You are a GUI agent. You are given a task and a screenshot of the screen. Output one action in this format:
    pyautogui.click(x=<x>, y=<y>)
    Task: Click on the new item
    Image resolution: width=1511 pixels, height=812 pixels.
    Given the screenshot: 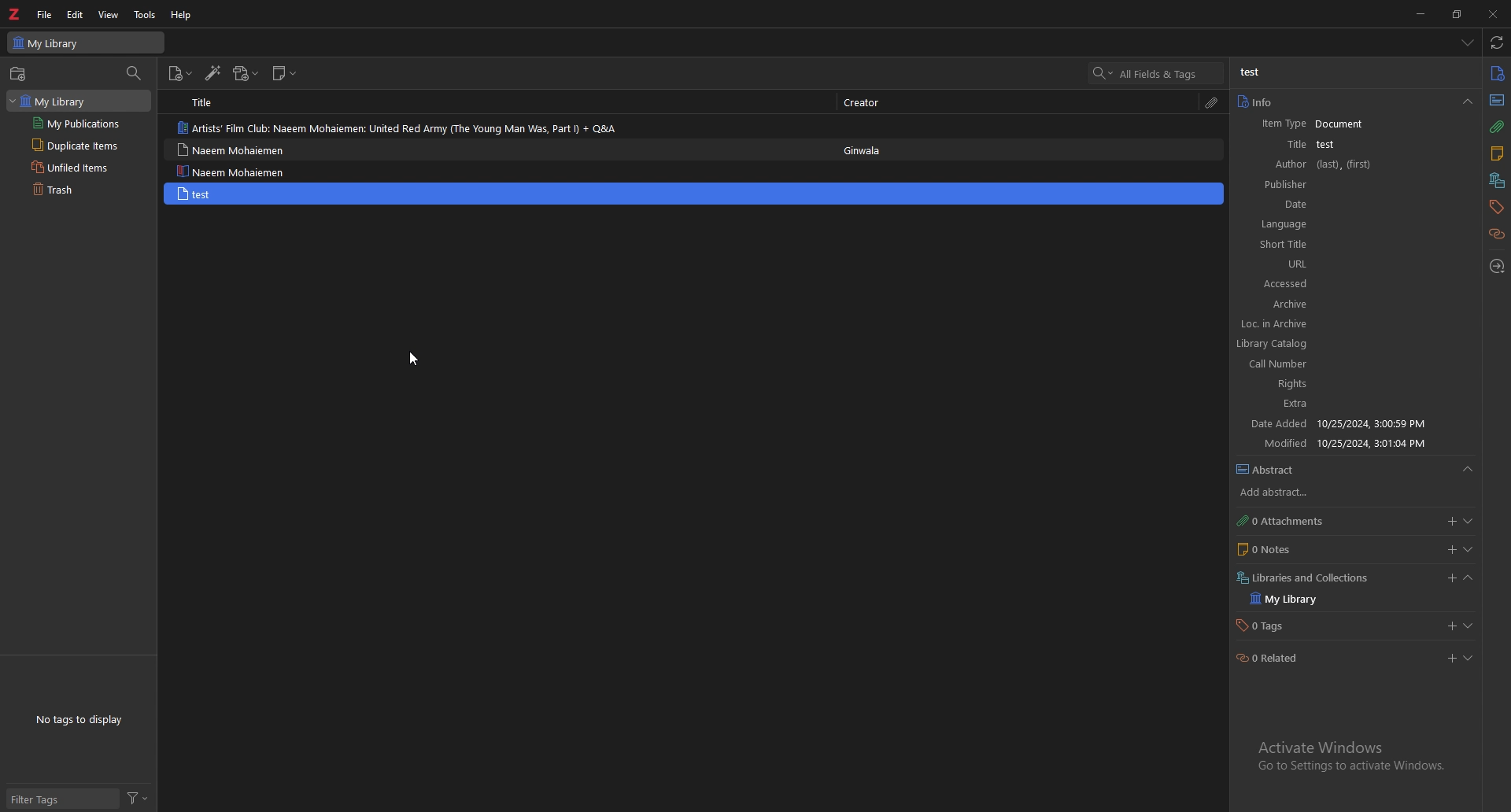 What is the action you would take?
    pyautogui.click(x=694, y=194)
    